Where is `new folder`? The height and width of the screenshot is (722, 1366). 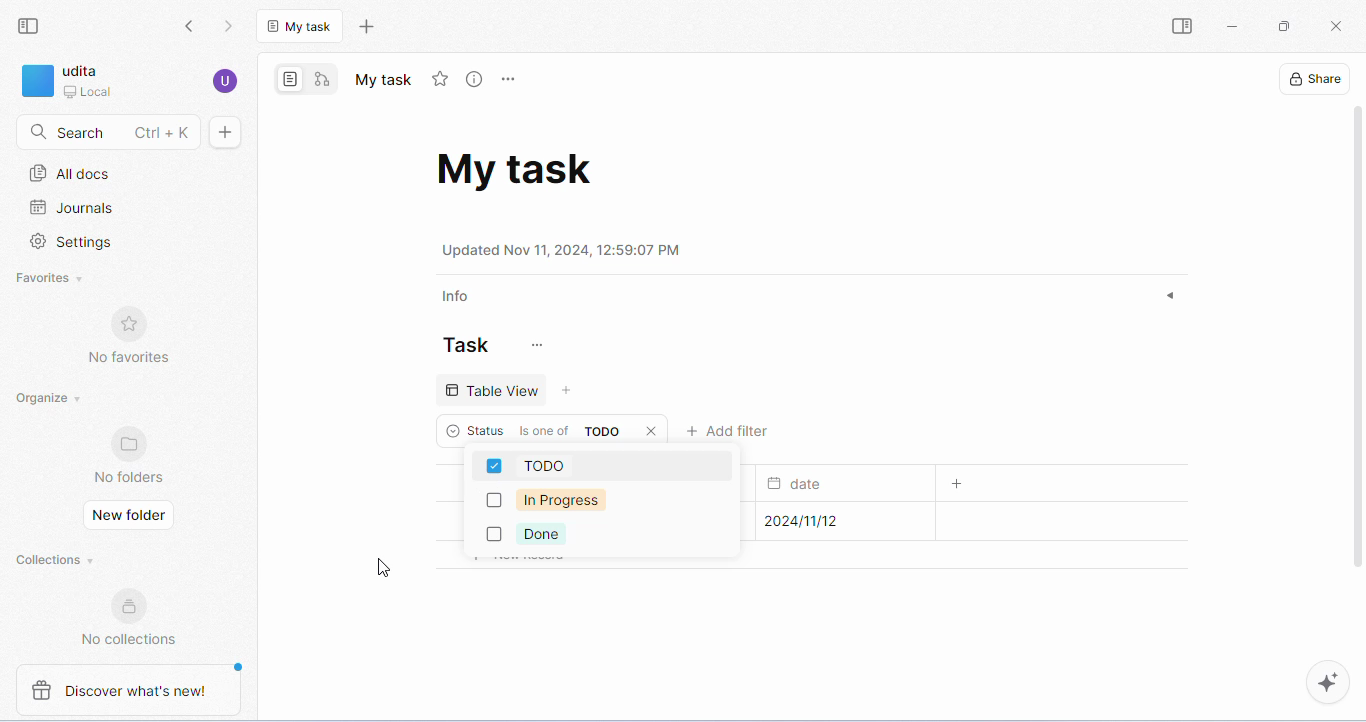 new folder is located at coordinates (128, 514).